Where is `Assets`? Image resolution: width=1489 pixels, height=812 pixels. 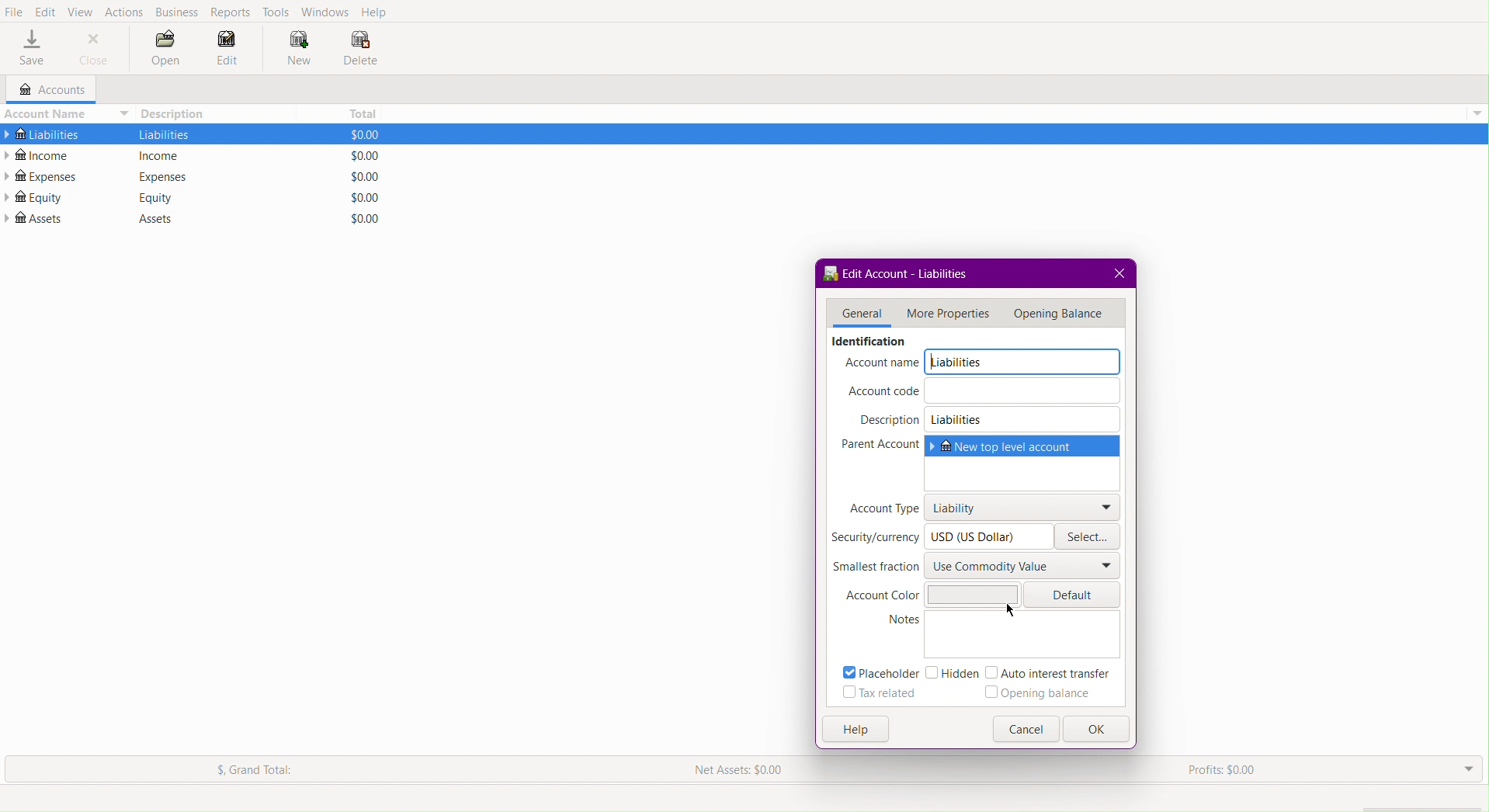
Assets is located at coordinates (148, 219).